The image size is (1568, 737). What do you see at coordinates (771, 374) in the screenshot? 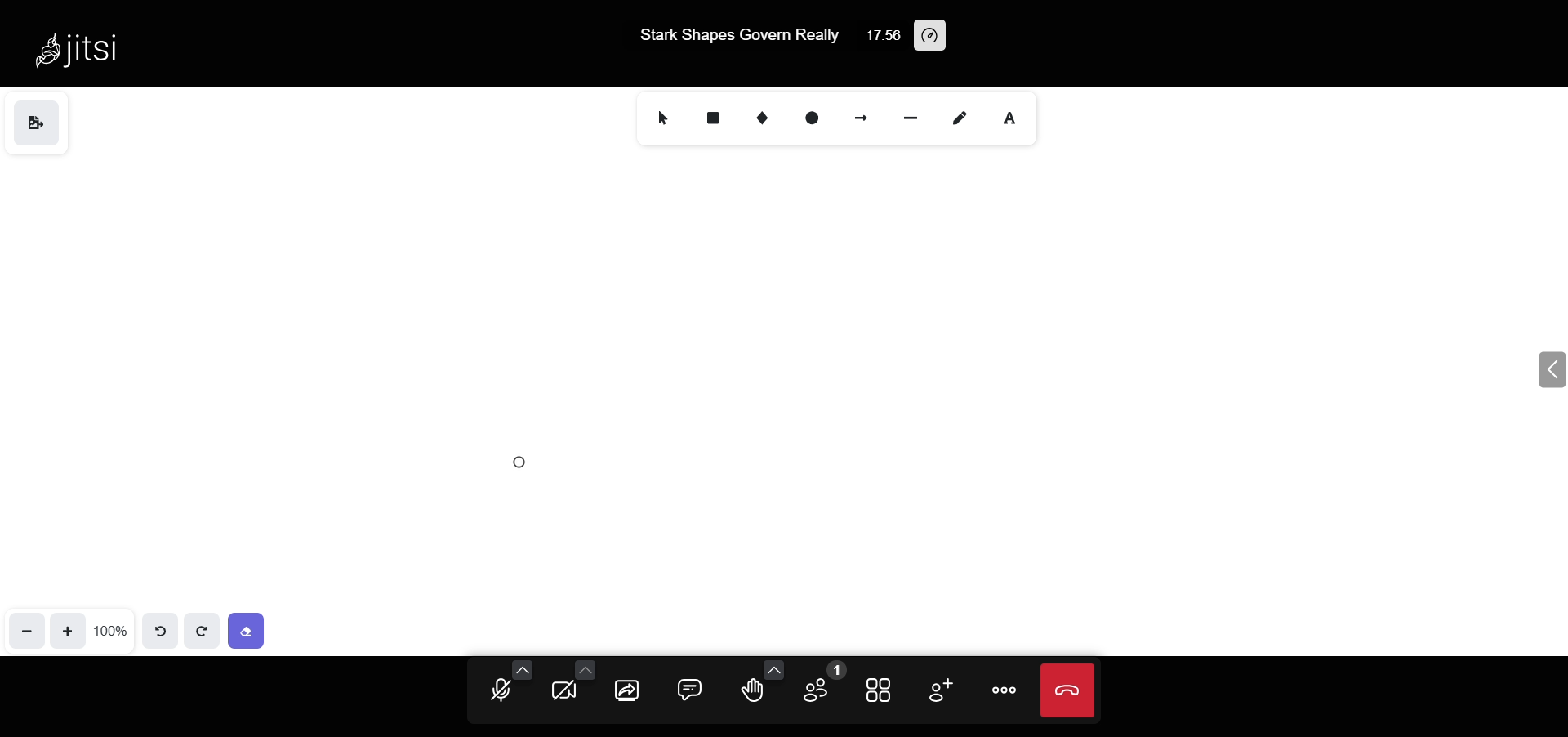
I see `content erased` at bounding box center [771, 374].